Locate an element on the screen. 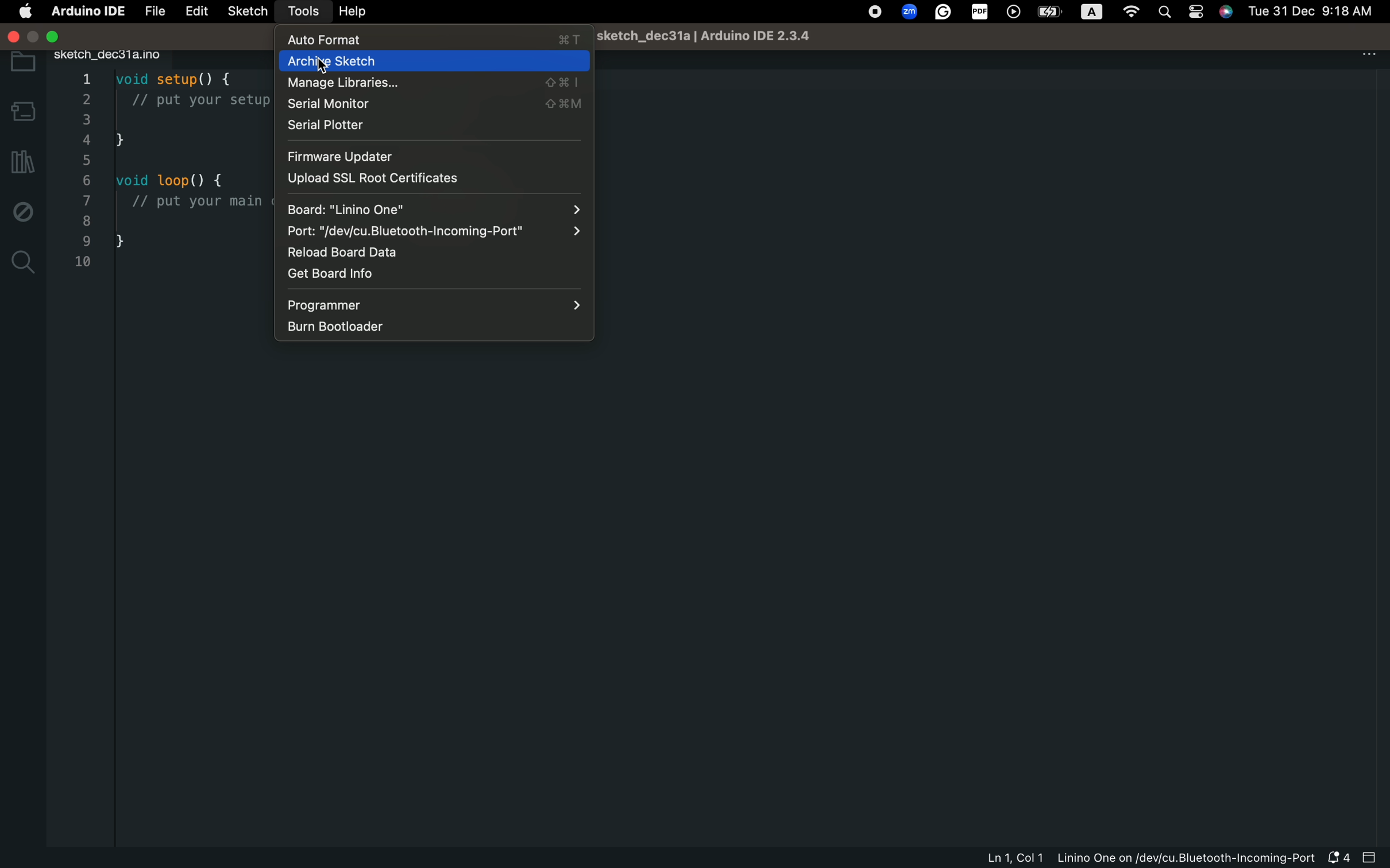  wifi is located at coordinates (1131, 14).